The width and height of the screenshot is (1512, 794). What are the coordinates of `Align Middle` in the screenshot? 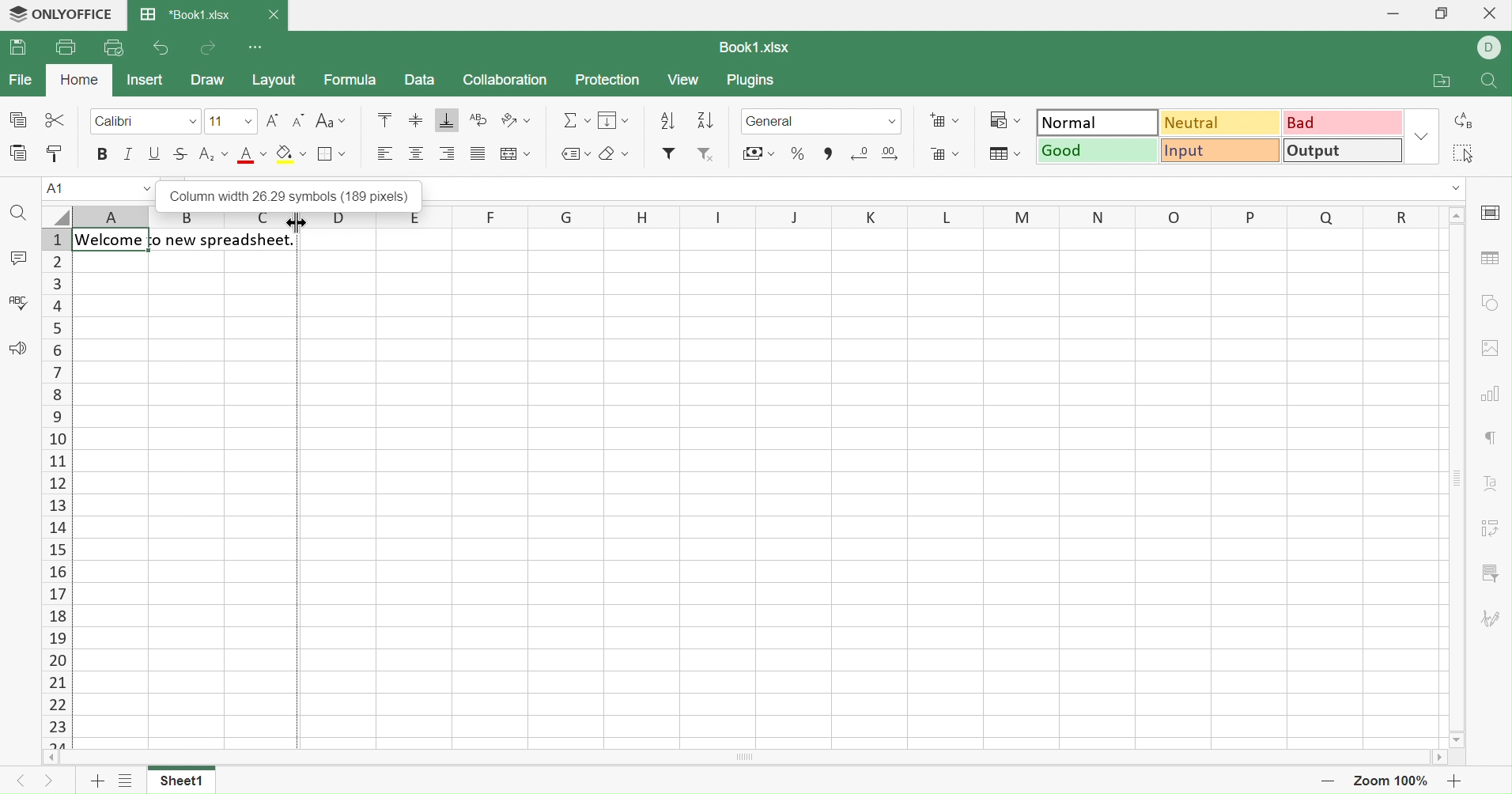 It's located at (415, 121).